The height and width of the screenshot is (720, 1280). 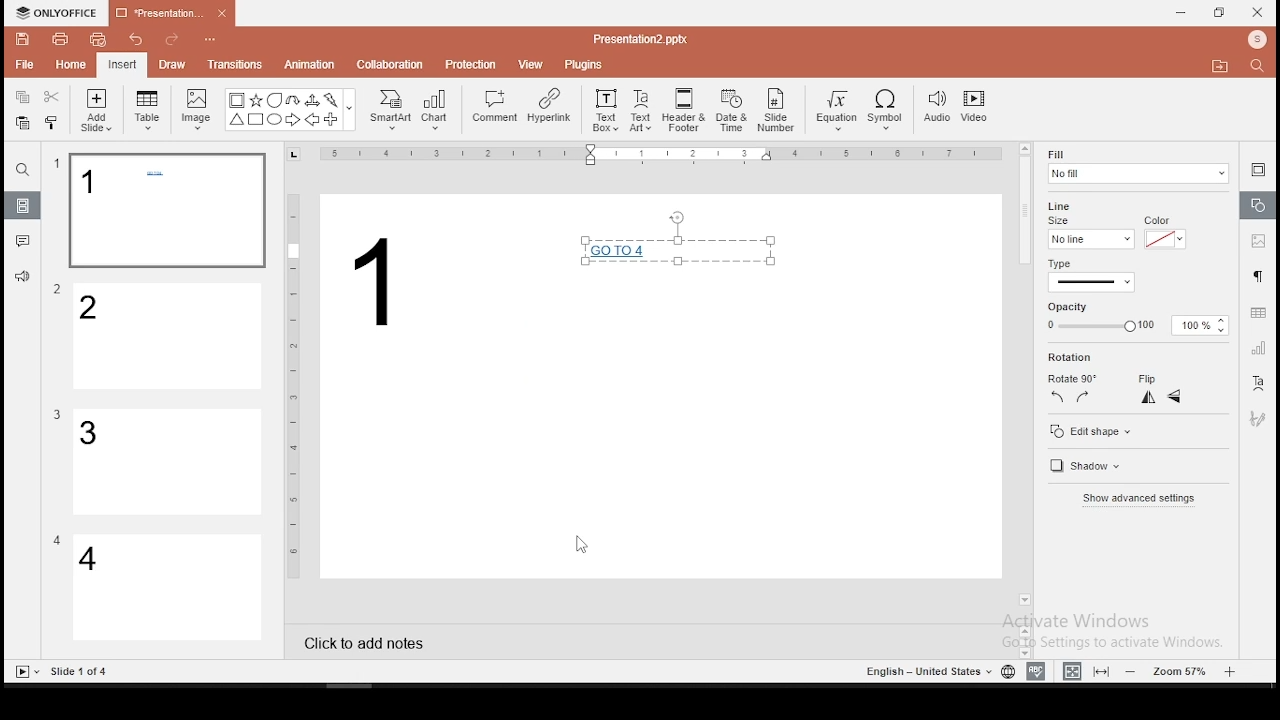 What do you see at coordinates (937, 108) in the screenshot?
I see `audio` at bounding box center [937, 108].